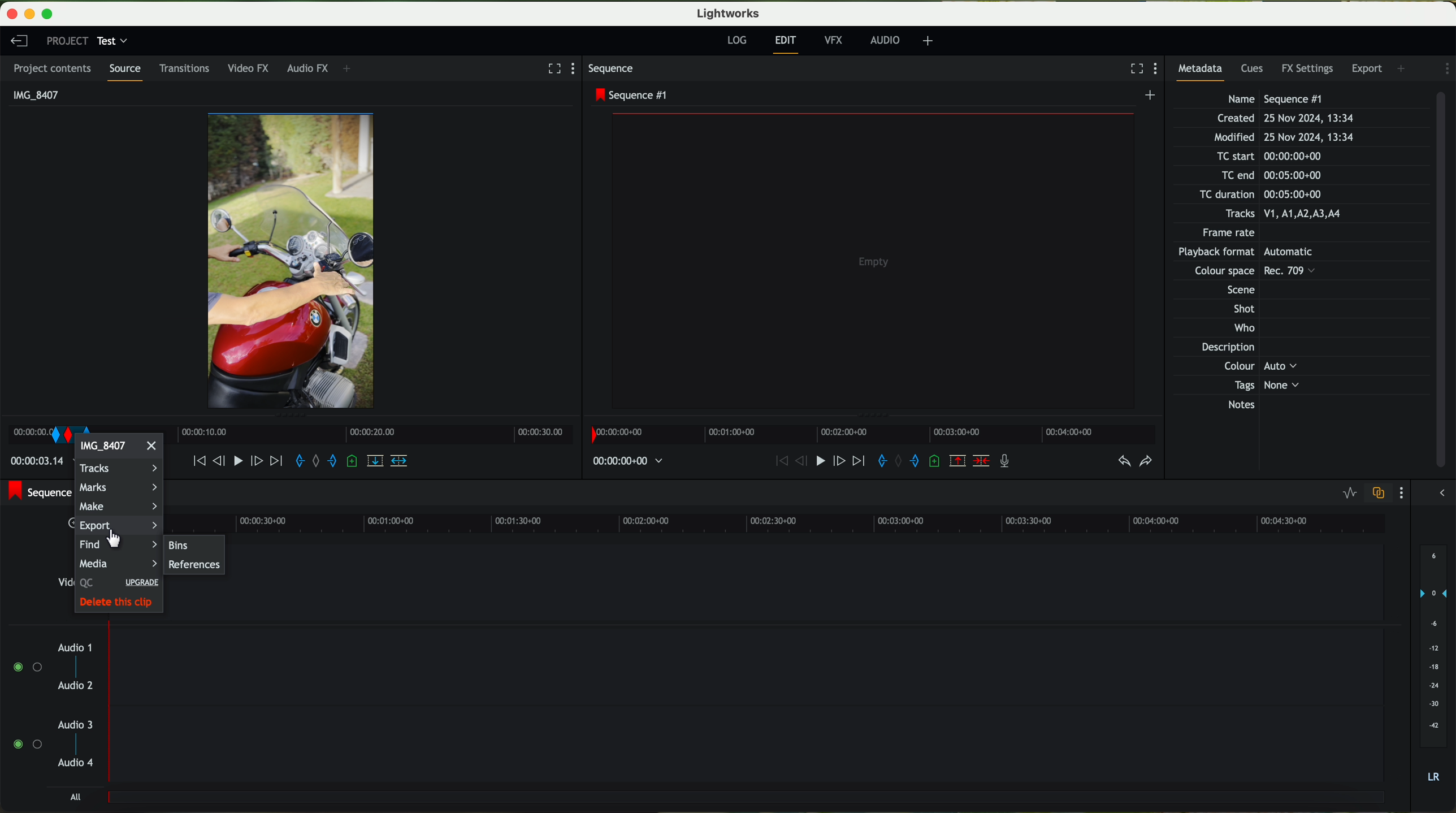 Image resolution: width=1456 pixels, height=813 pixels. What do you see at coordinates (1431, 663) in the screenshot?
I see `audio output level (dB)` at bounding box center [1431, 663].